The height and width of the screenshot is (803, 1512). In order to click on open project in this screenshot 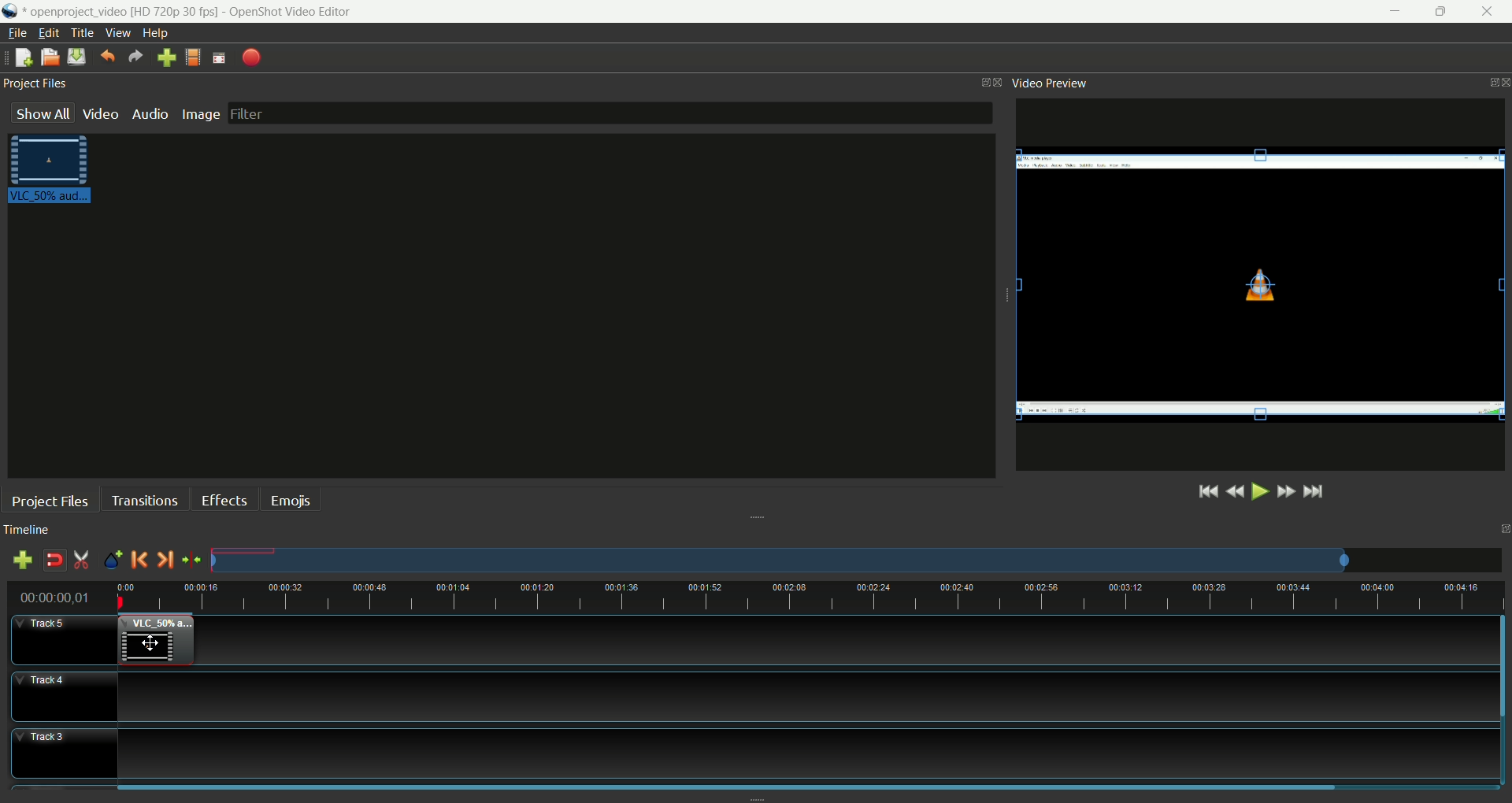, I will do `click(50, 59)`.